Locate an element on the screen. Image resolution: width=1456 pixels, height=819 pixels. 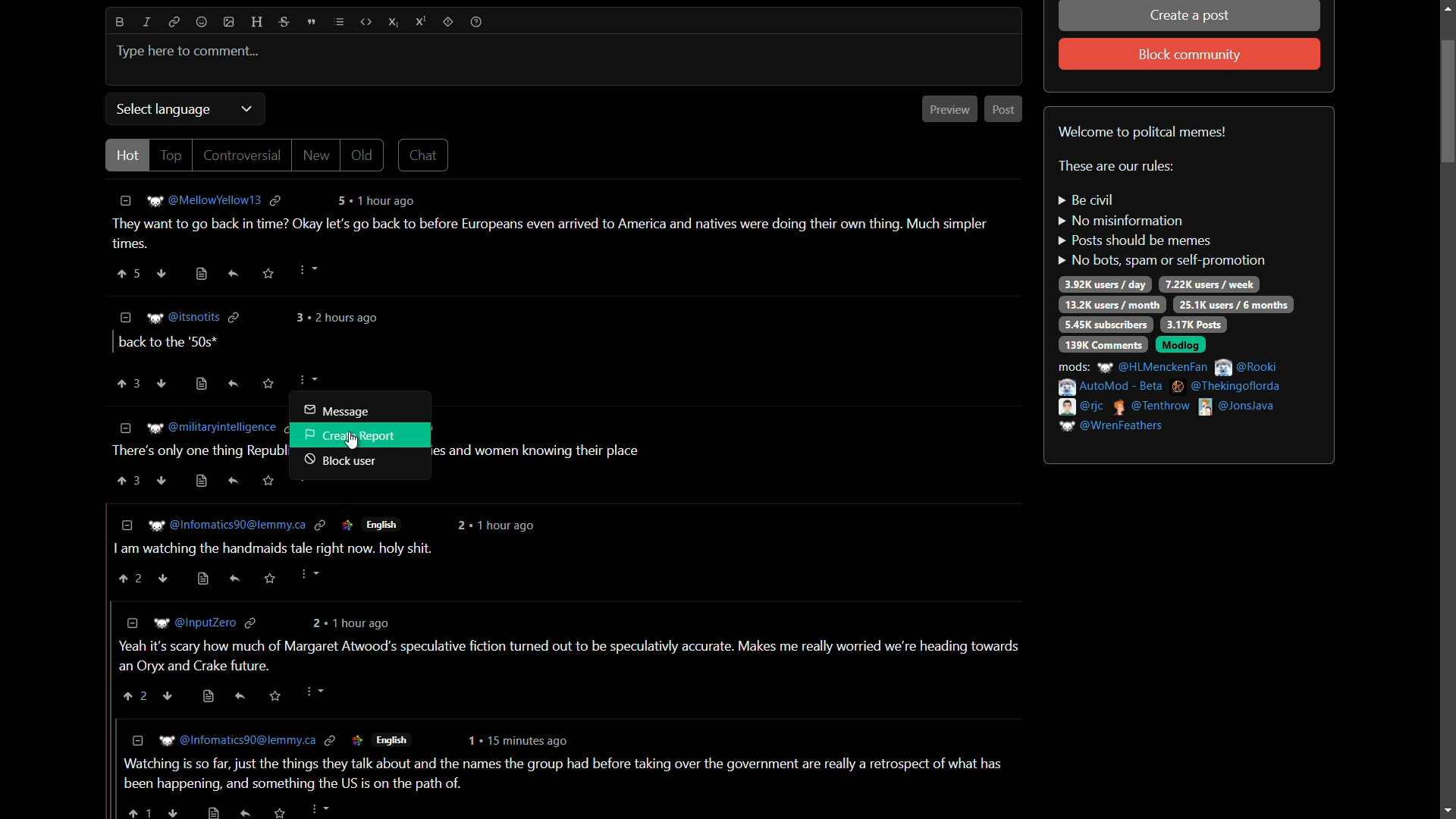
create report is located at coordinates (352, 435).